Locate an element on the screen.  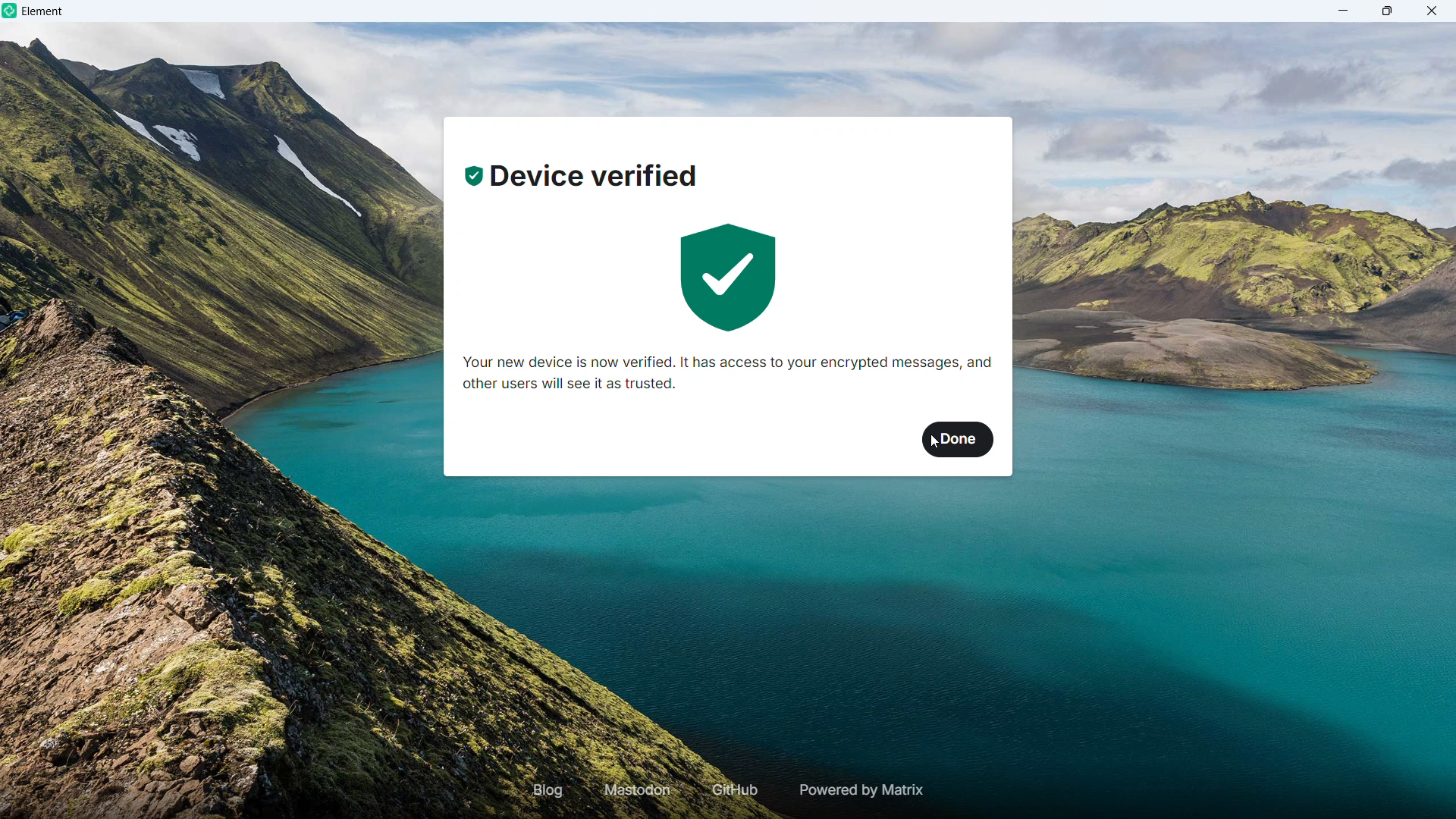
Powered by matrix  is located at coordinates (859, 790).